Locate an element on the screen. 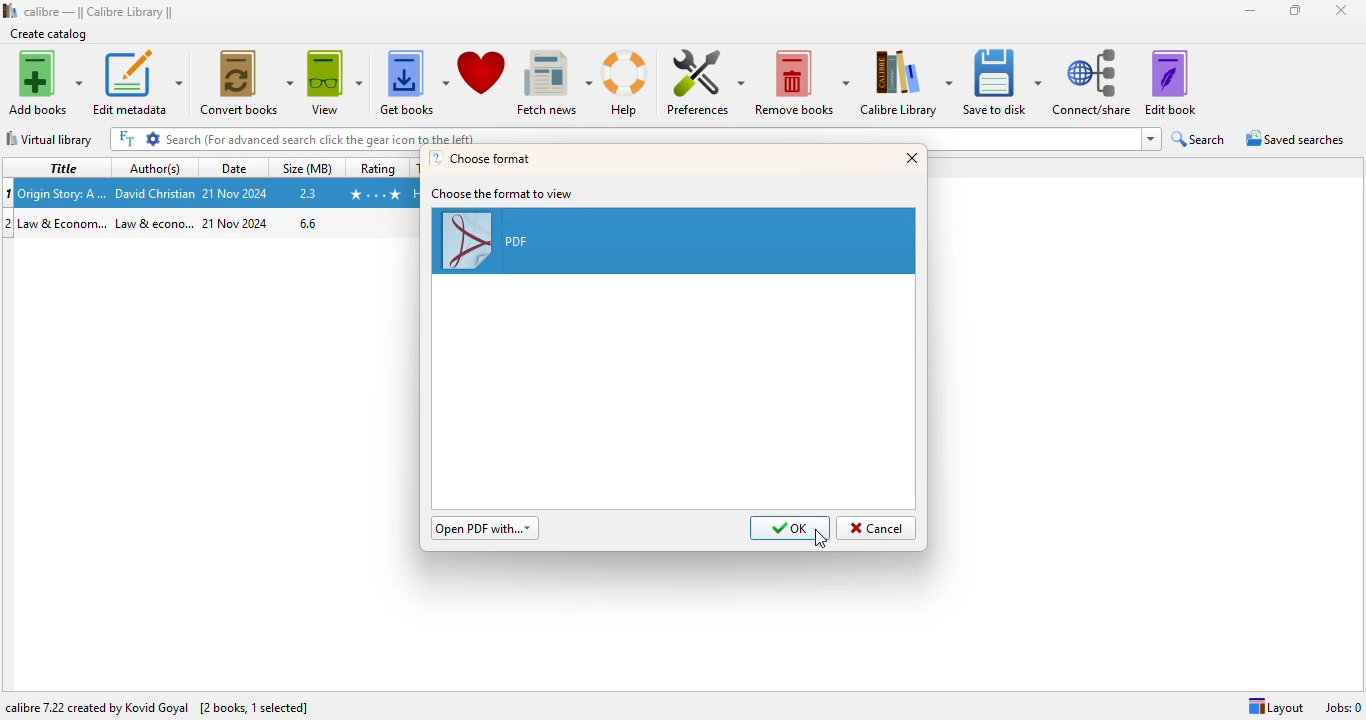 This screenshot has width=1366, height=720. logo is located at coordinates (10, 11).